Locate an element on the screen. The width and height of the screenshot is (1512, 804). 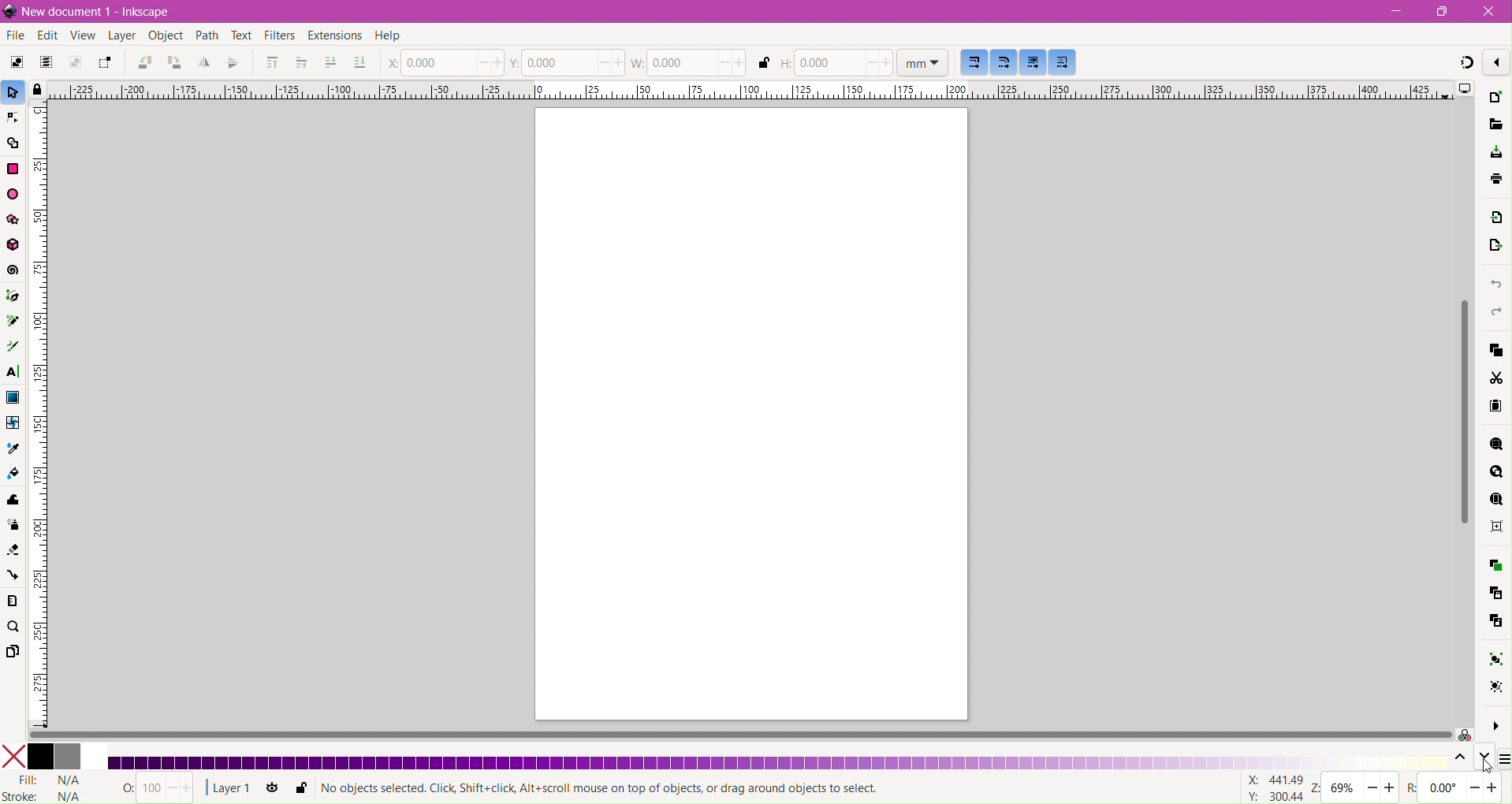
Go down one level is located at coordinates (1488, 756).